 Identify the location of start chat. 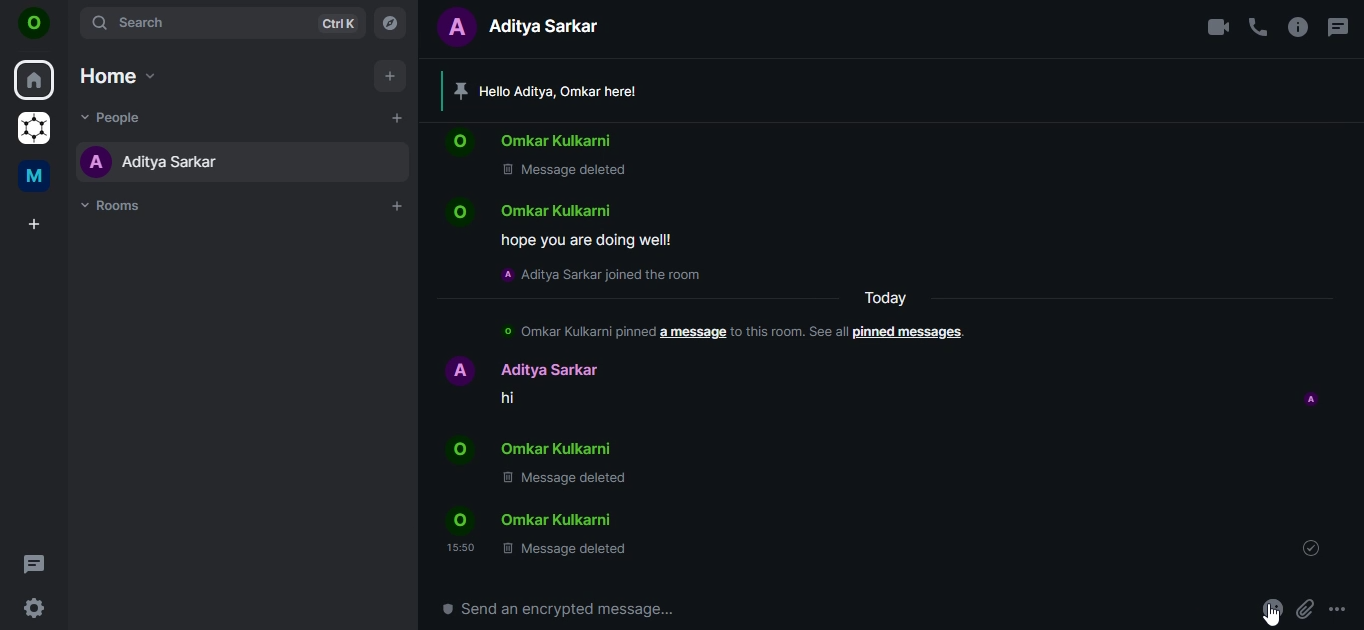
(396, 120).